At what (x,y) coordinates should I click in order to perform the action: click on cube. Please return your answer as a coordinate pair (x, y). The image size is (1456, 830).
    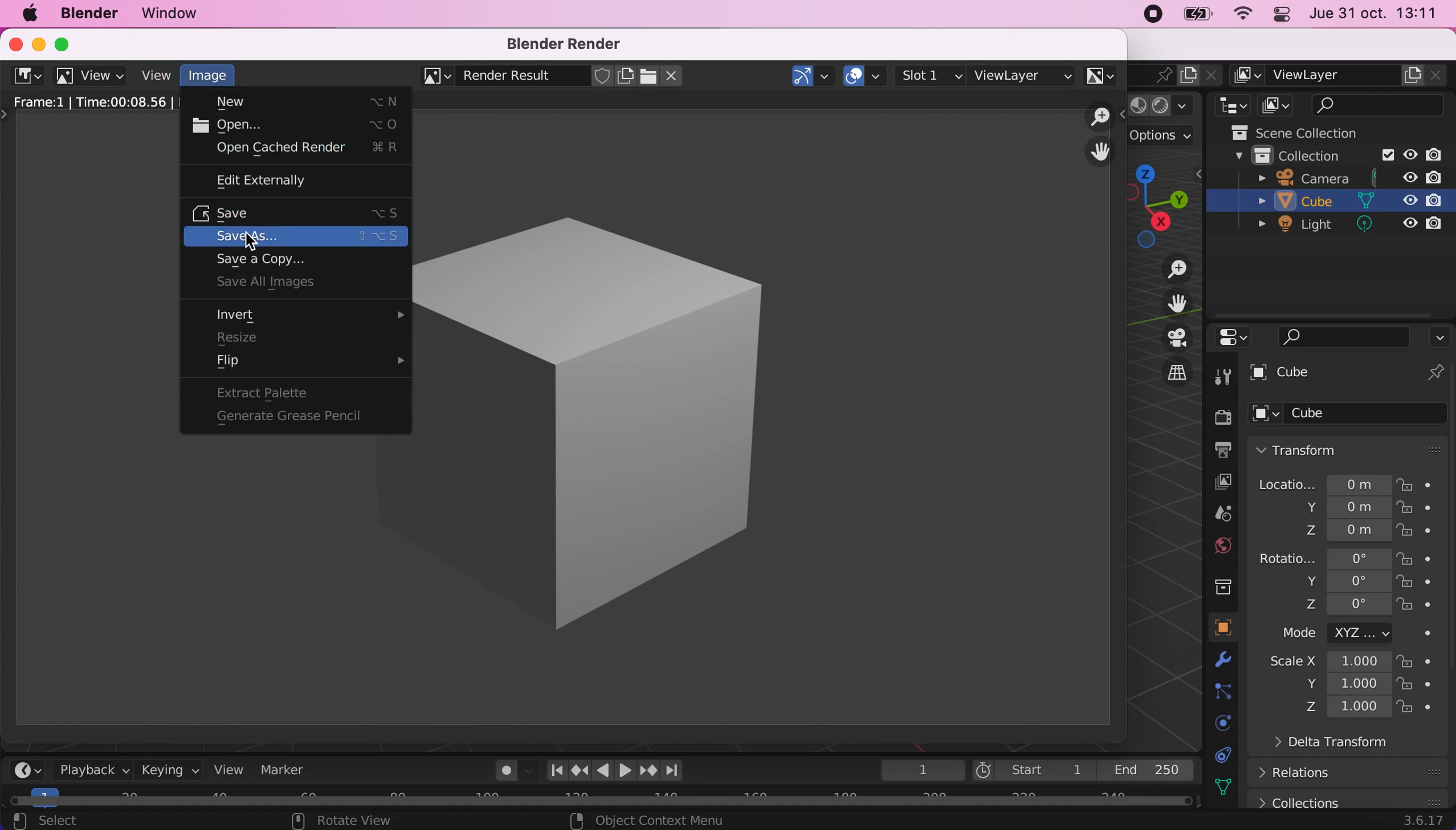
    Looking at the image, I should click on (1351, 374).